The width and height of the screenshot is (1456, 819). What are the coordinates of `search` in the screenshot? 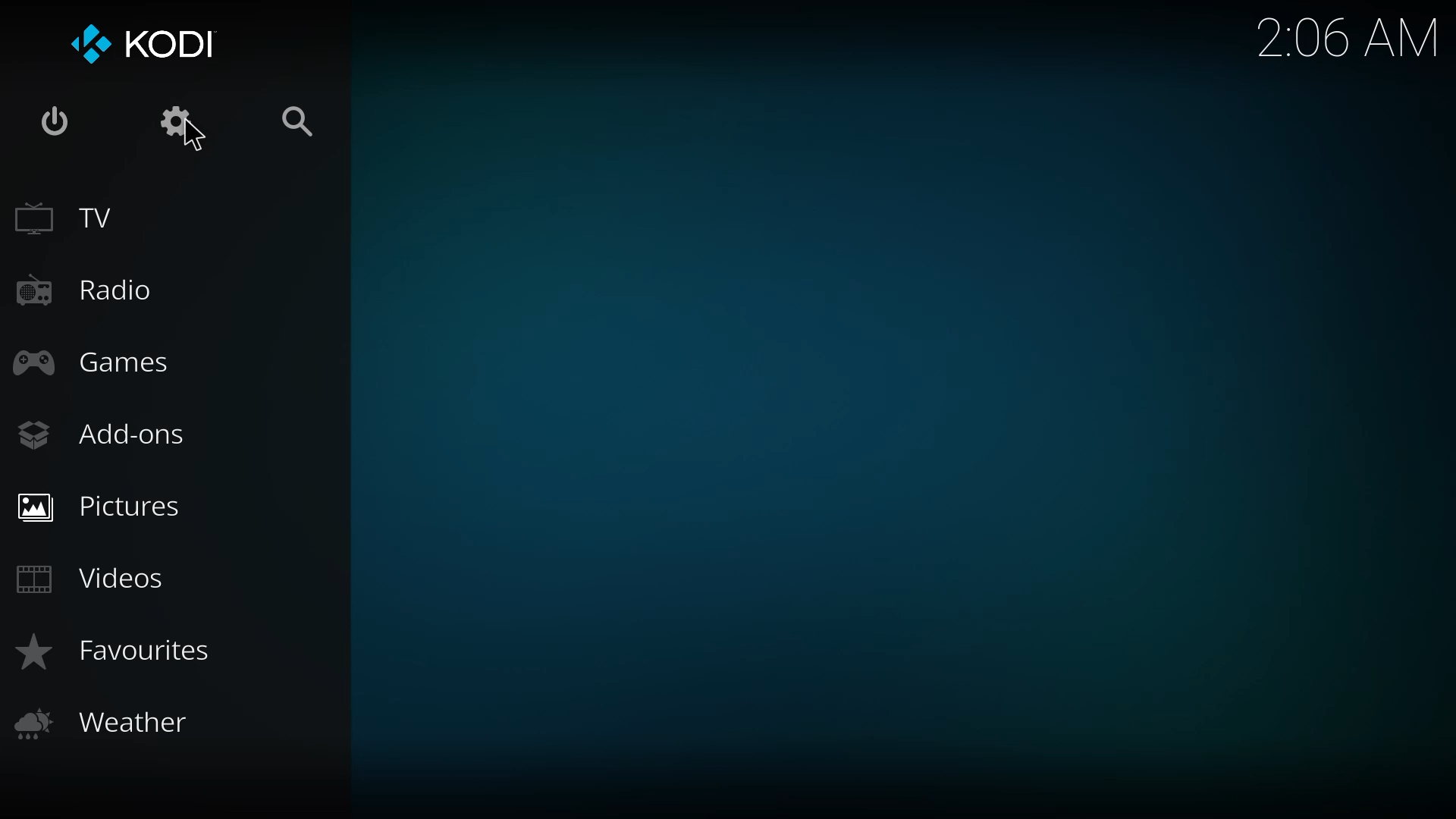 It's located at (302, 119).